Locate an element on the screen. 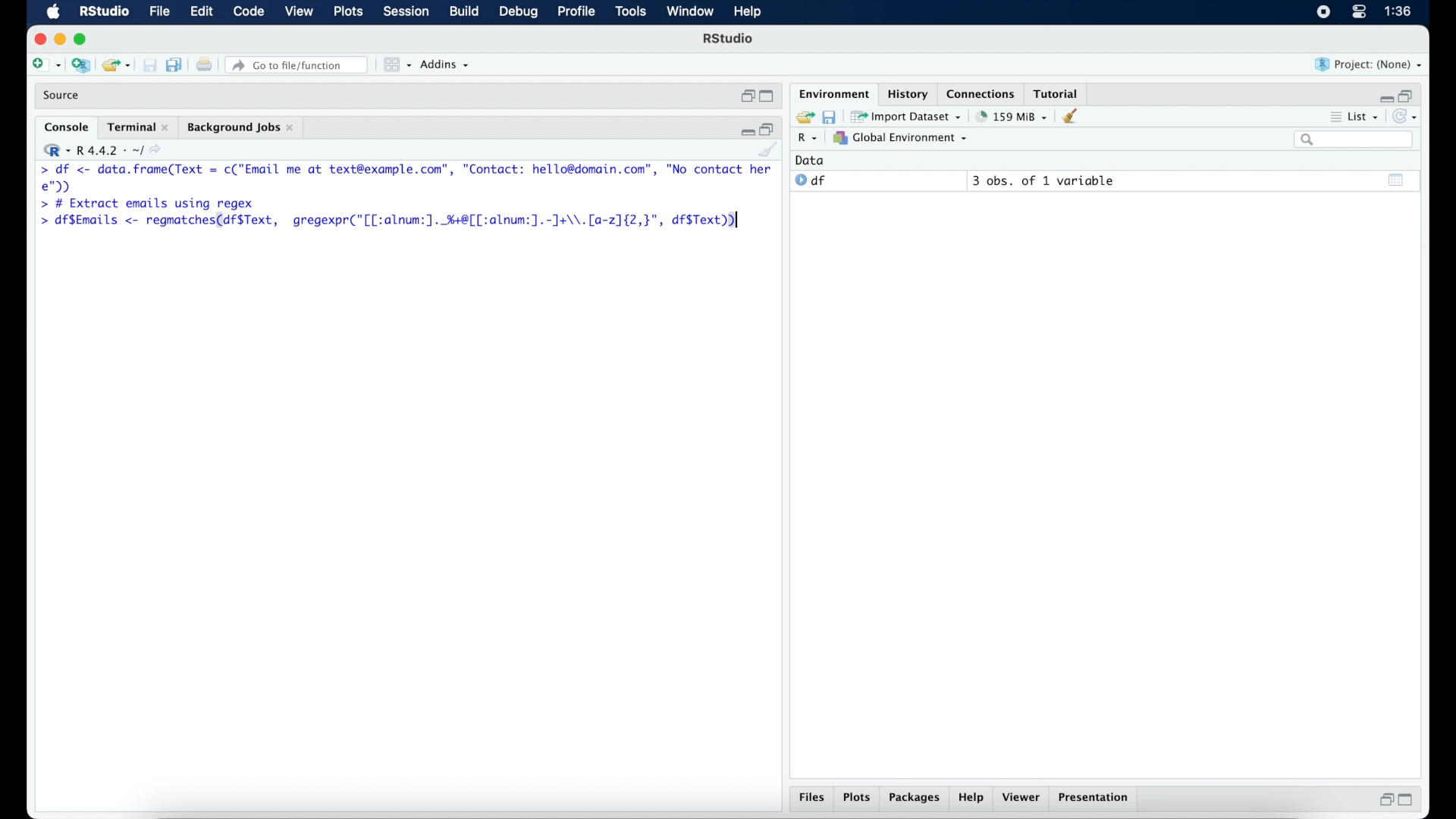  > df$Emails <- regmatches(df$Text, gregexpr("[[:alnum:]. %+8[[:alnum:].-]J+\\.[a-2]{2,}", df$Text)) is located at coordinates (397, 221).